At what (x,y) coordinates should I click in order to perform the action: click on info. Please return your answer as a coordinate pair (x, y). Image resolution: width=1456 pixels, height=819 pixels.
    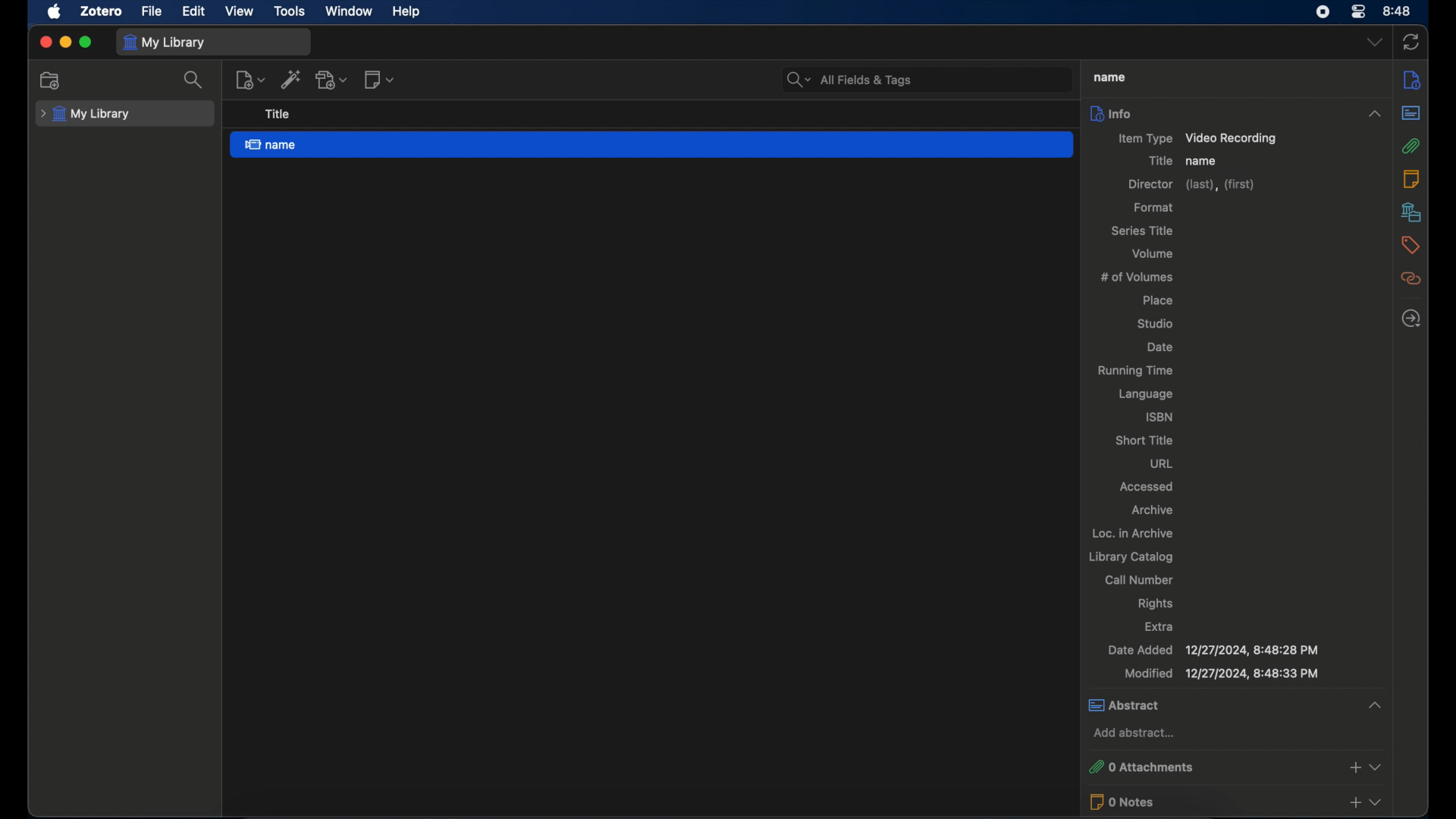
    Looking at the image, I should click on (1414, 81).